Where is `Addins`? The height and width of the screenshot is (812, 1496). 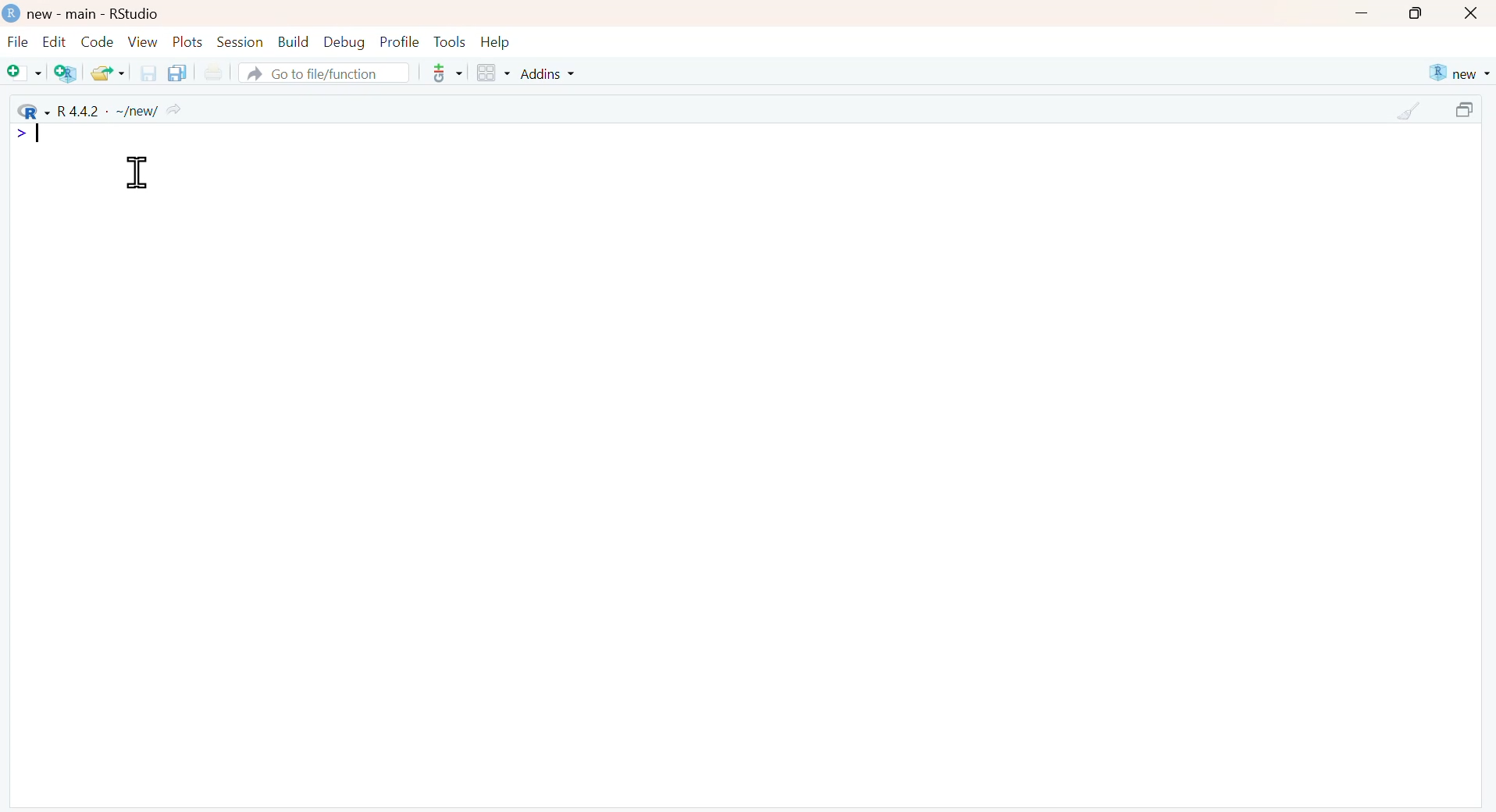
Addins is located at coordinates (550, 73).